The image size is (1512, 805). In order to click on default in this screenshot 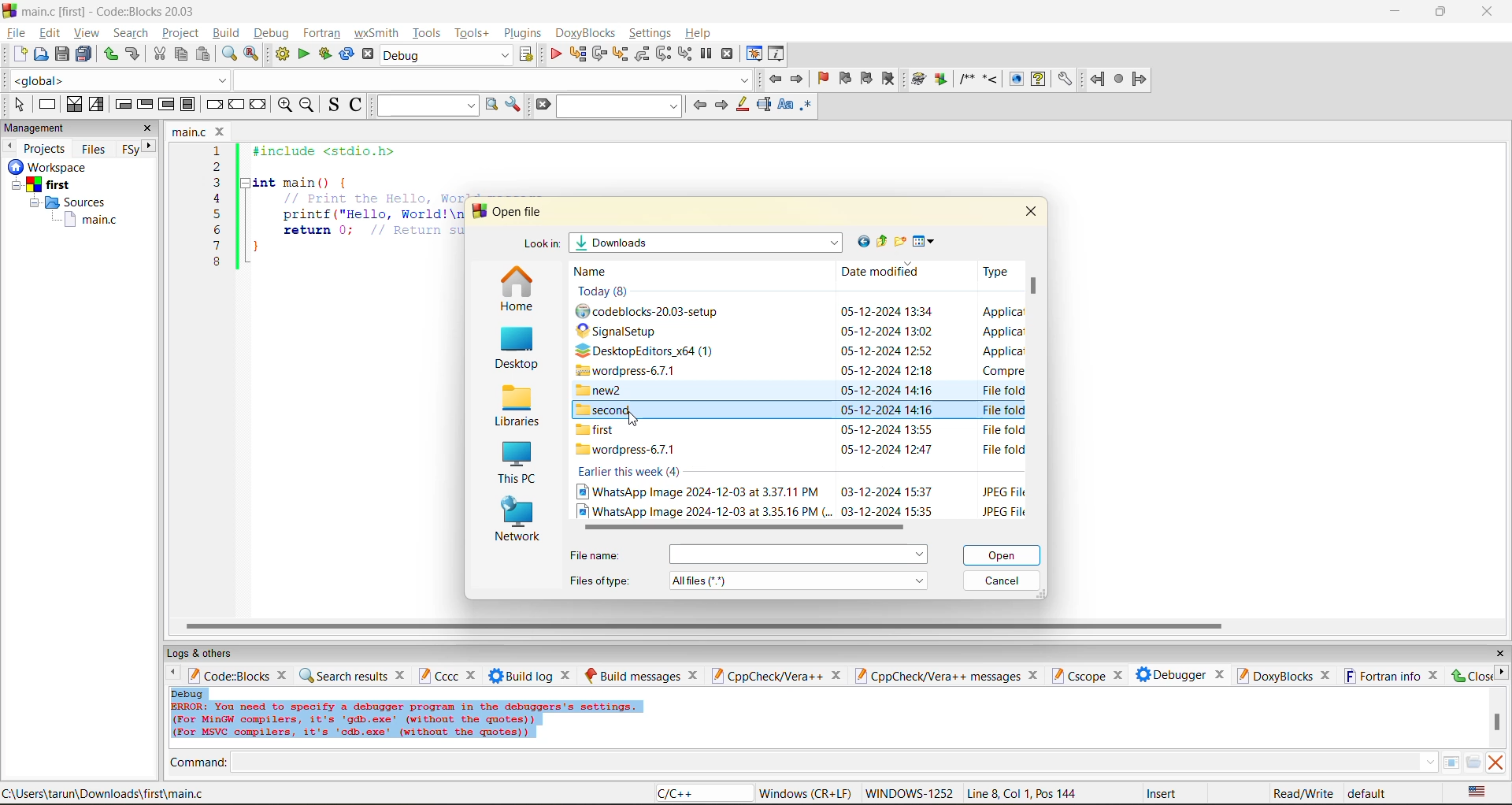, I will do `click(1369, 792)`.